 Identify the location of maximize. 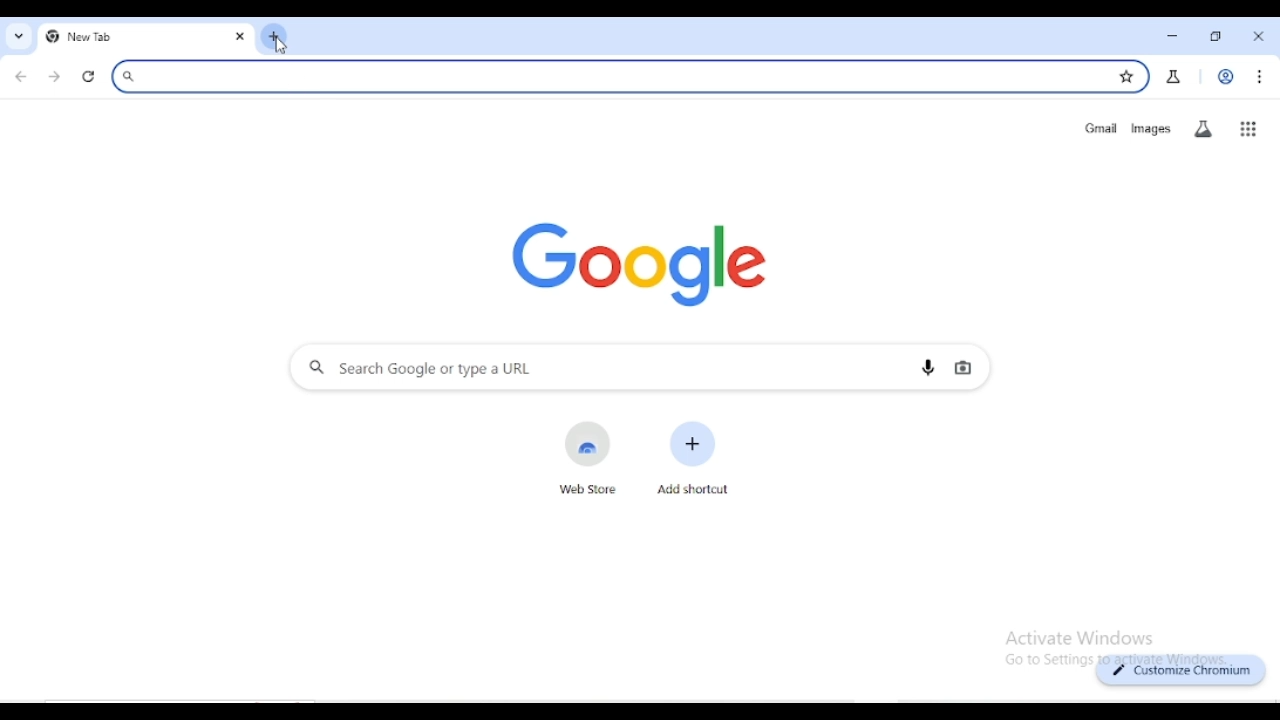
(1216, 37).